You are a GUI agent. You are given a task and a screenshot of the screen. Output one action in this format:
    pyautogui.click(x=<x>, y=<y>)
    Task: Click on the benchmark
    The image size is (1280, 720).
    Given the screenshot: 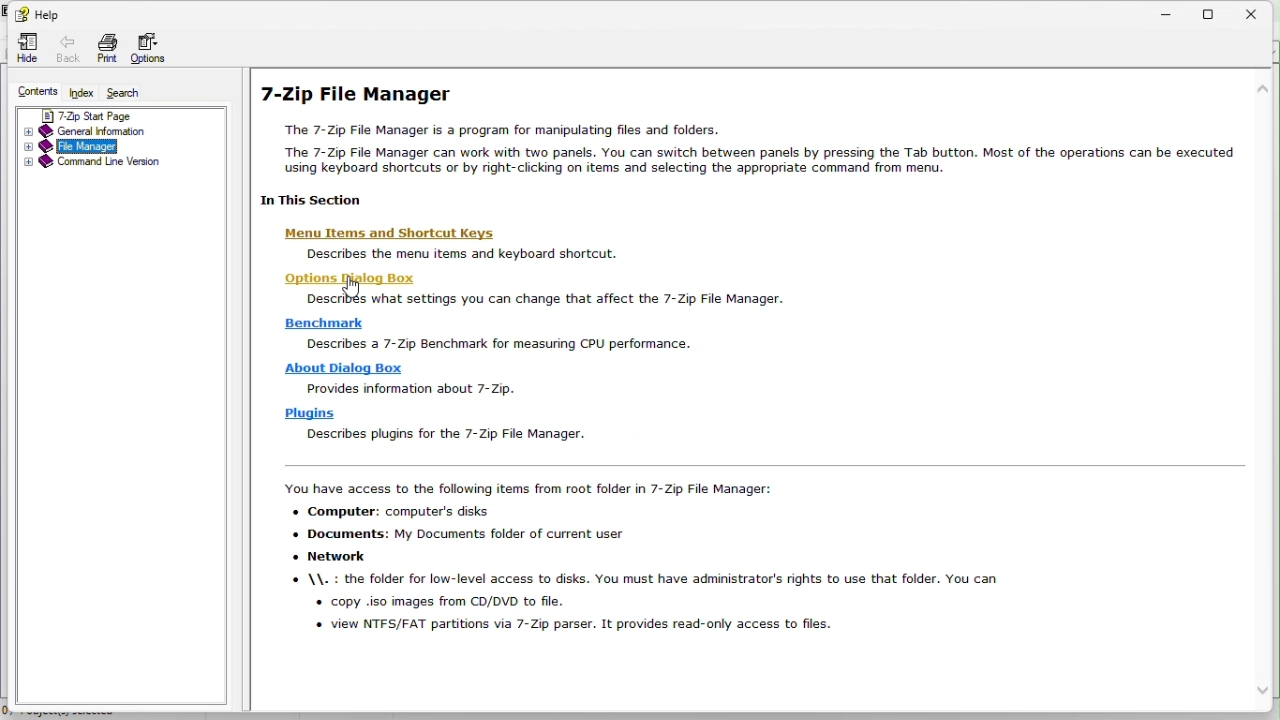 What is the action you would take?
    pyautogui.click(x=327, y=323)
    